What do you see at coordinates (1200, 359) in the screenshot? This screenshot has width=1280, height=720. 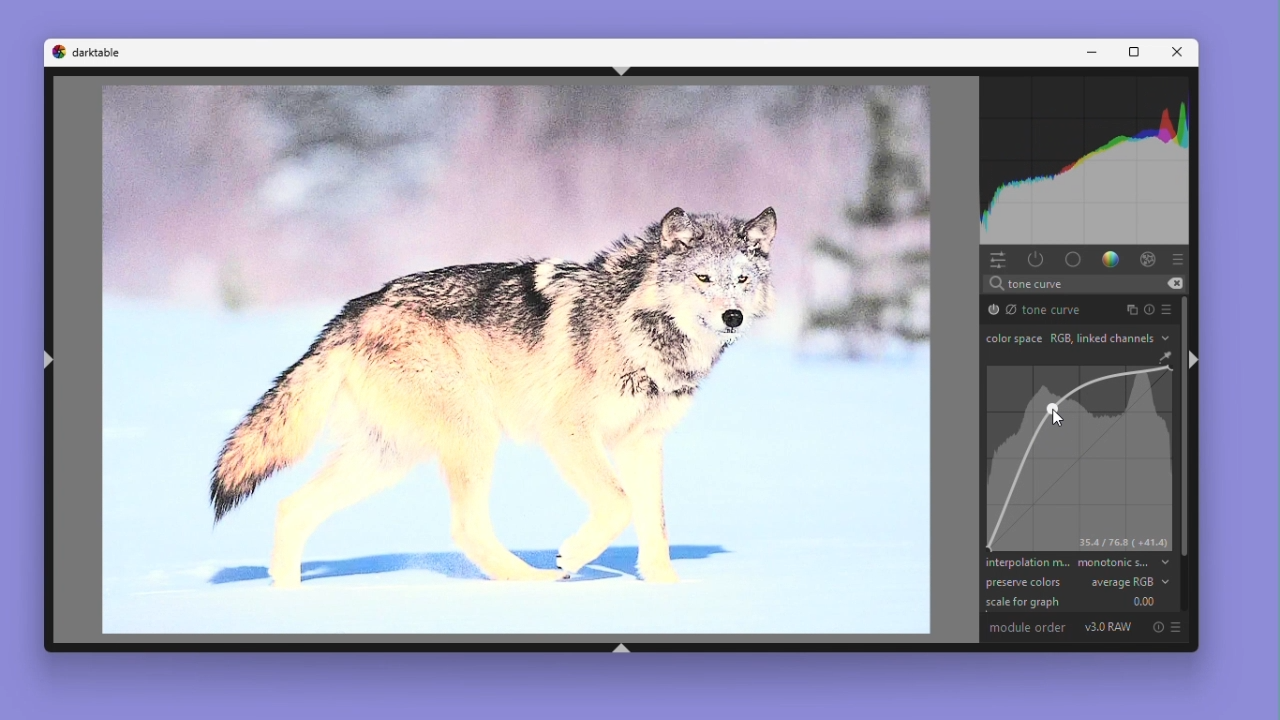 I see `shift+ctrl+r` at bounding box center [1200, 359].